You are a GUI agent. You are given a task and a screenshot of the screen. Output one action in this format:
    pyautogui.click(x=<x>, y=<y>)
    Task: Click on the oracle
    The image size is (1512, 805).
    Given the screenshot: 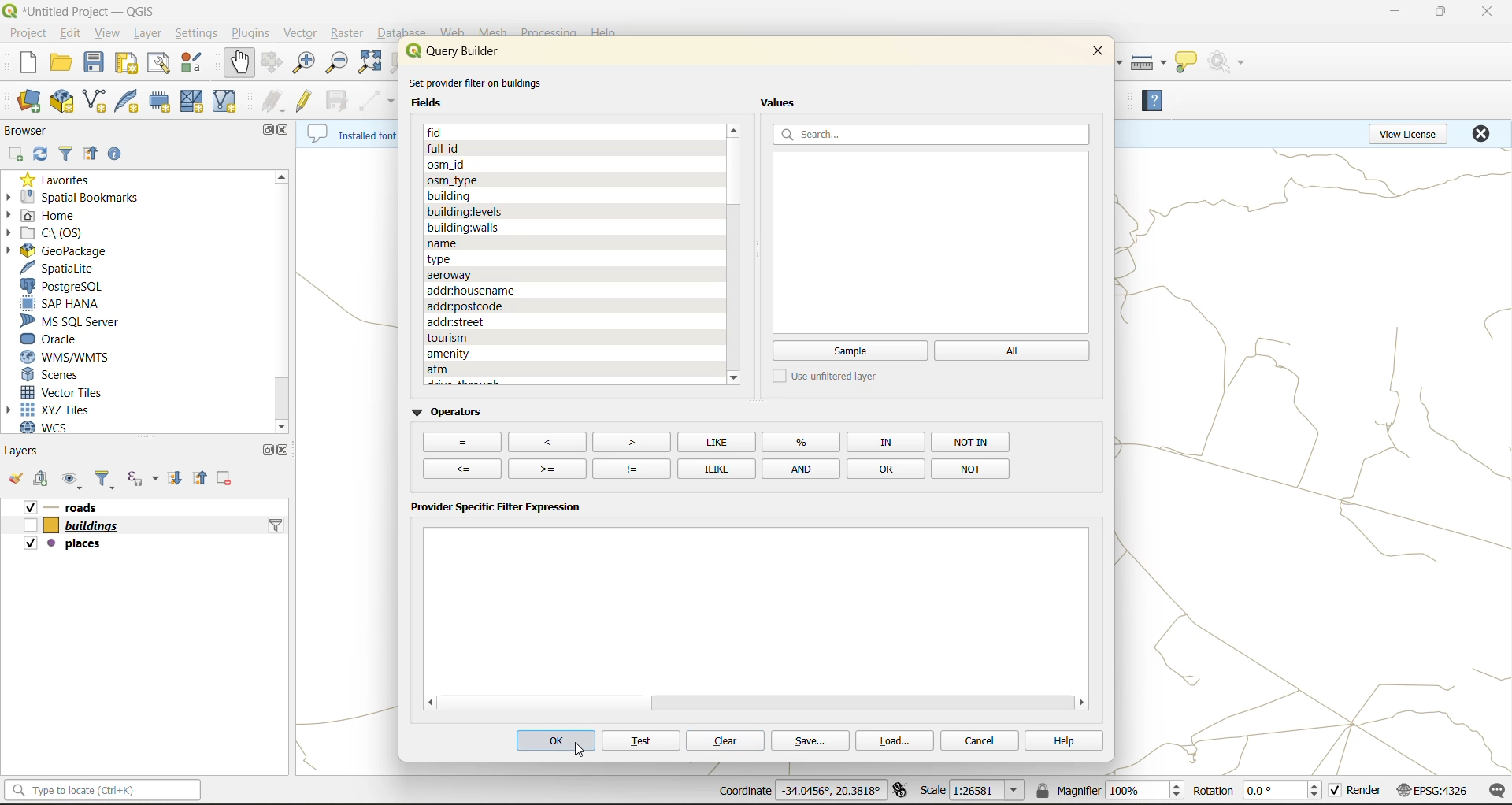 What is the action you would take?
    pyautogui.click(x=60, y=339)
    